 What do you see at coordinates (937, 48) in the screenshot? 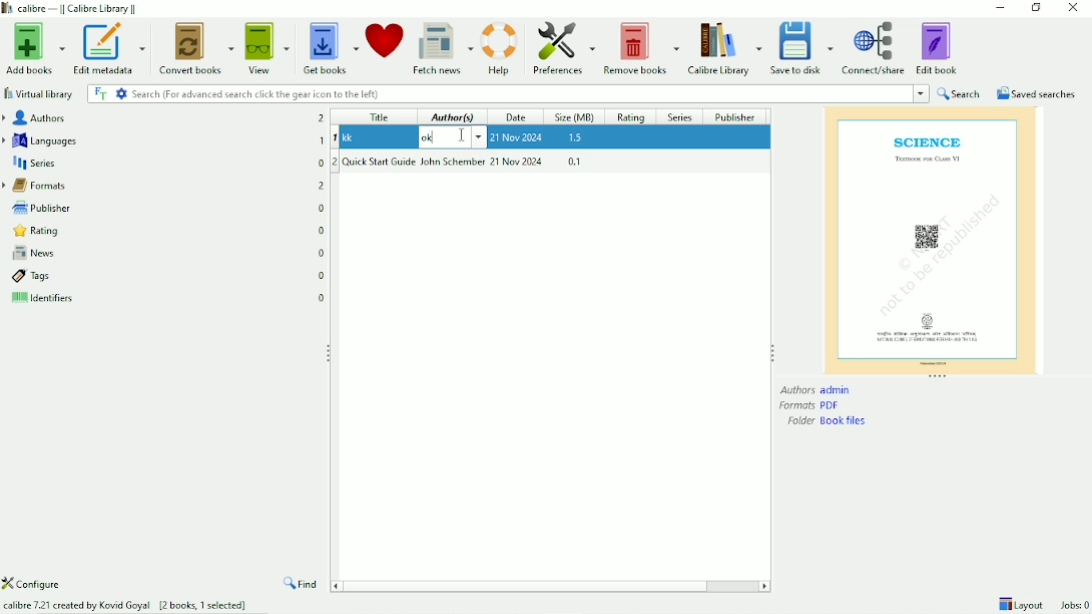
I see `Edit book` at bounding box center [937, 48].